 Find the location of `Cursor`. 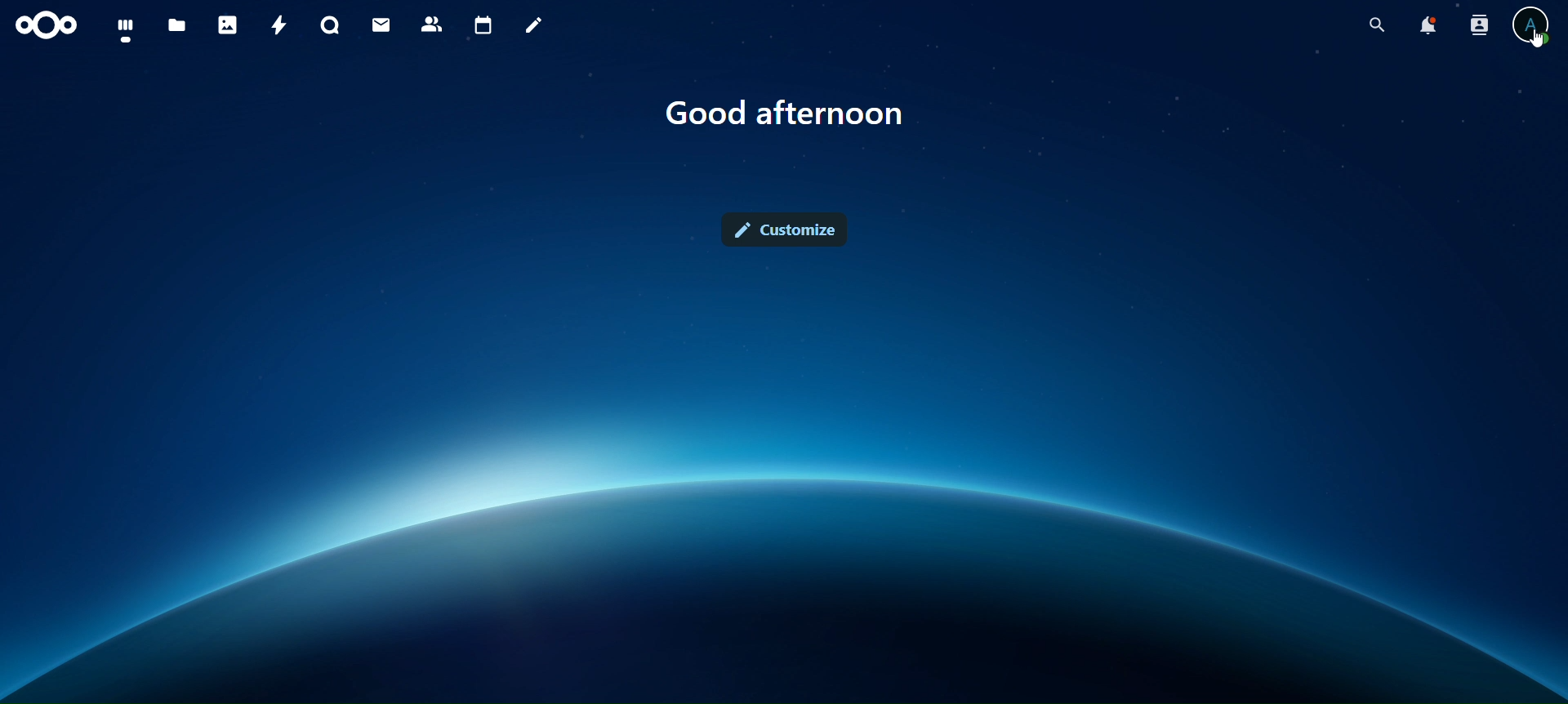

Cursor is located at coordinates (1536, 42).